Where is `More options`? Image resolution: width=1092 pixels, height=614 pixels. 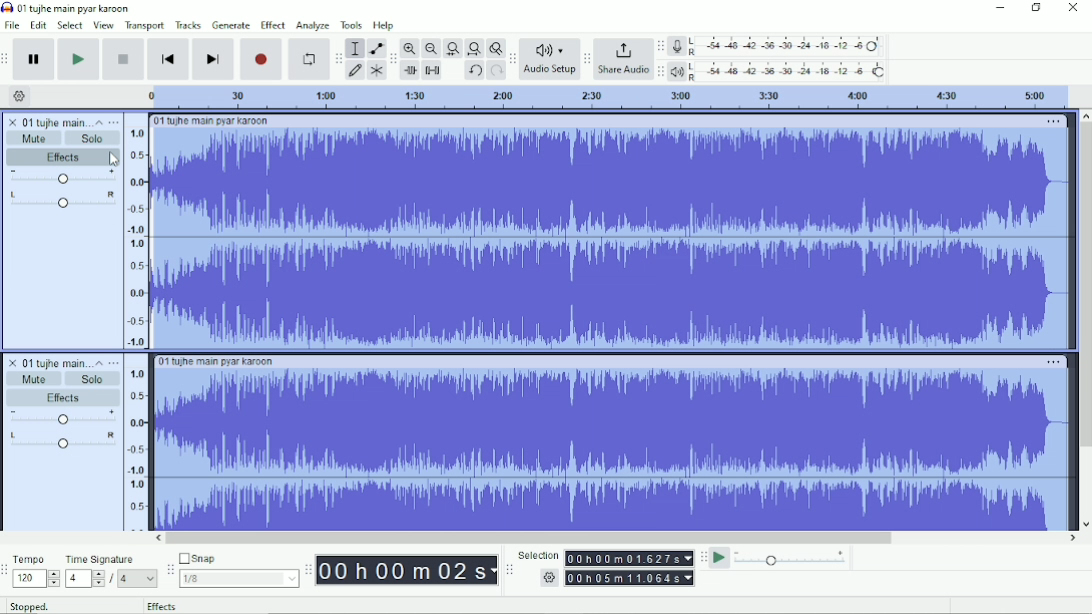 More options is located at coordinates (114, 361).